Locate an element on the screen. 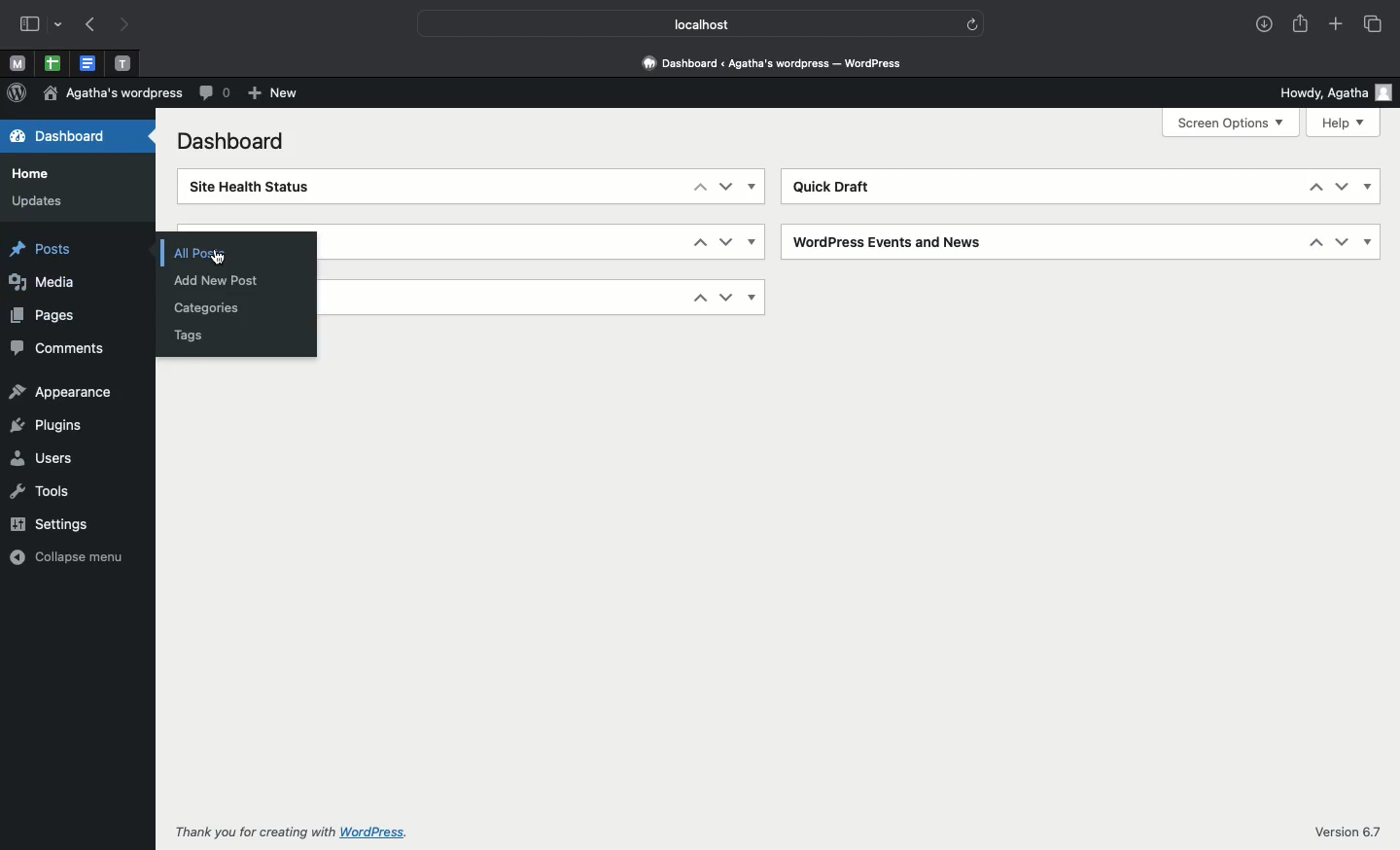 This screenshot has width=1400, height=850. Users is located at coordinates (42, 457).